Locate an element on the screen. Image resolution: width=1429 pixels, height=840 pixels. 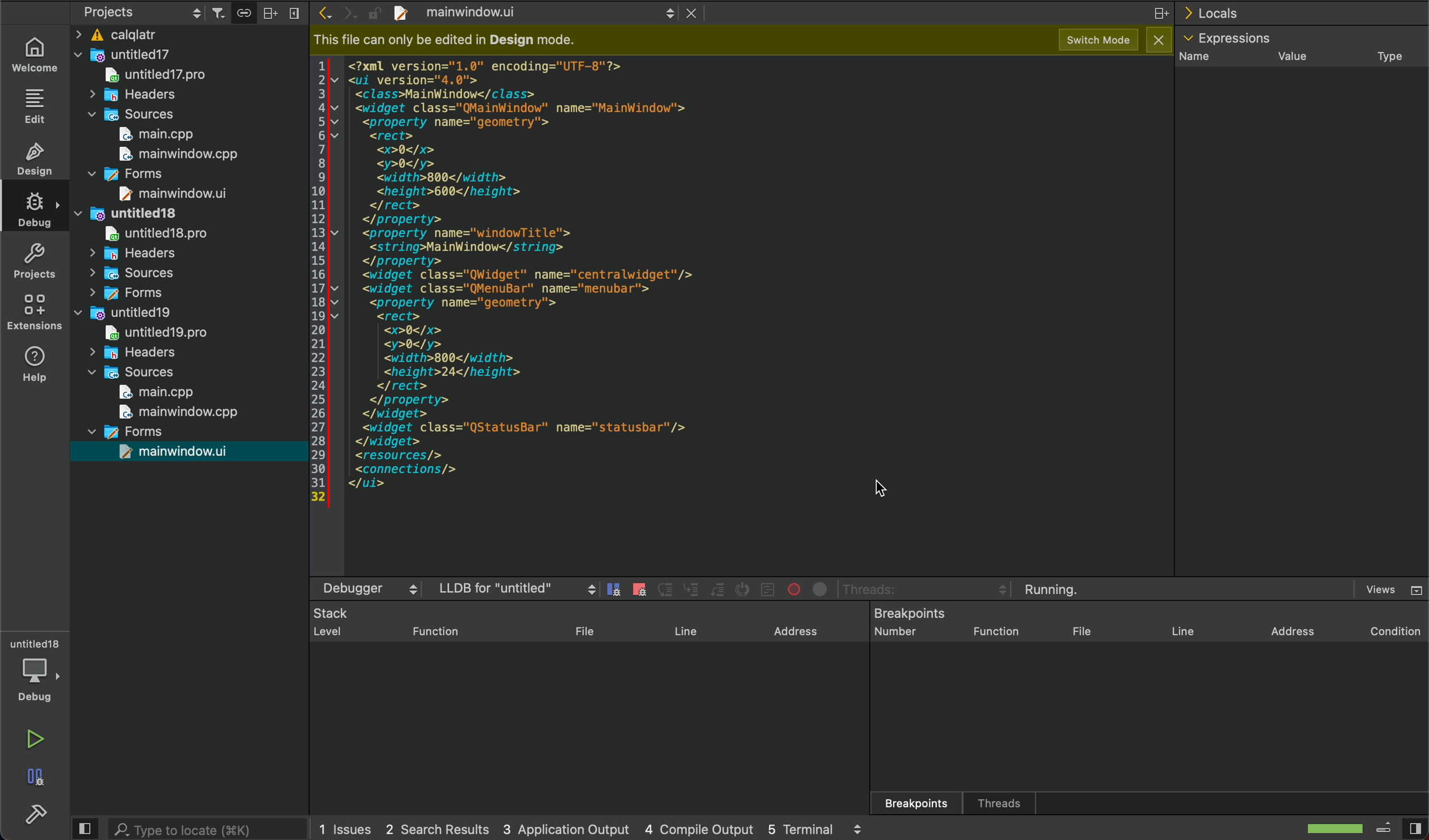
run and debug is located at coordinates (34, 780).